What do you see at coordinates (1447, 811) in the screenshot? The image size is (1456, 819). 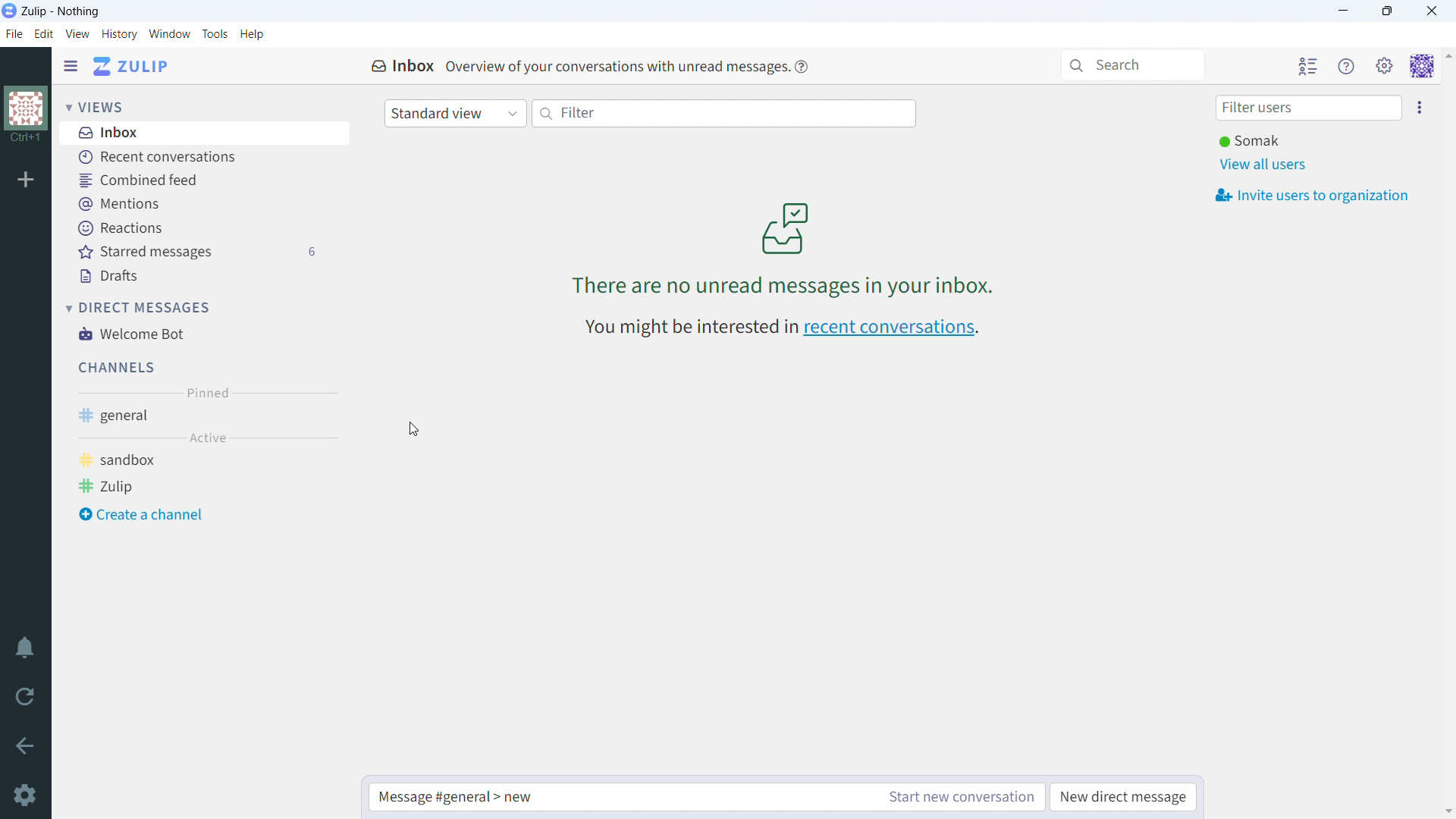 I see `scroll down` at bounding box center [1447, 811].